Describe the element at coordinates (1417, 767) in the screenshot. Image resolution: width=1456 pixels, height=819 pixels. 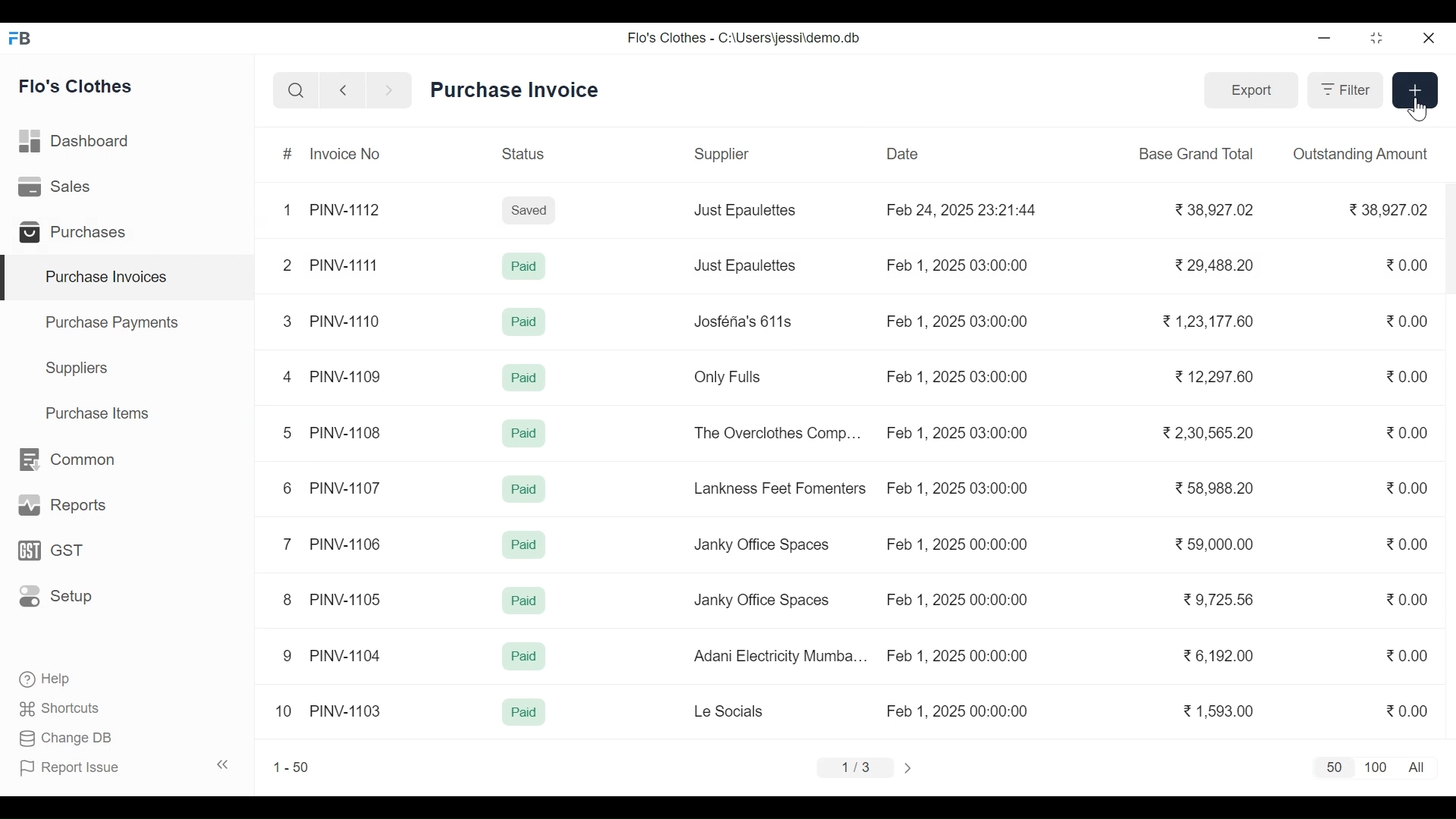
I see `All` at that location.